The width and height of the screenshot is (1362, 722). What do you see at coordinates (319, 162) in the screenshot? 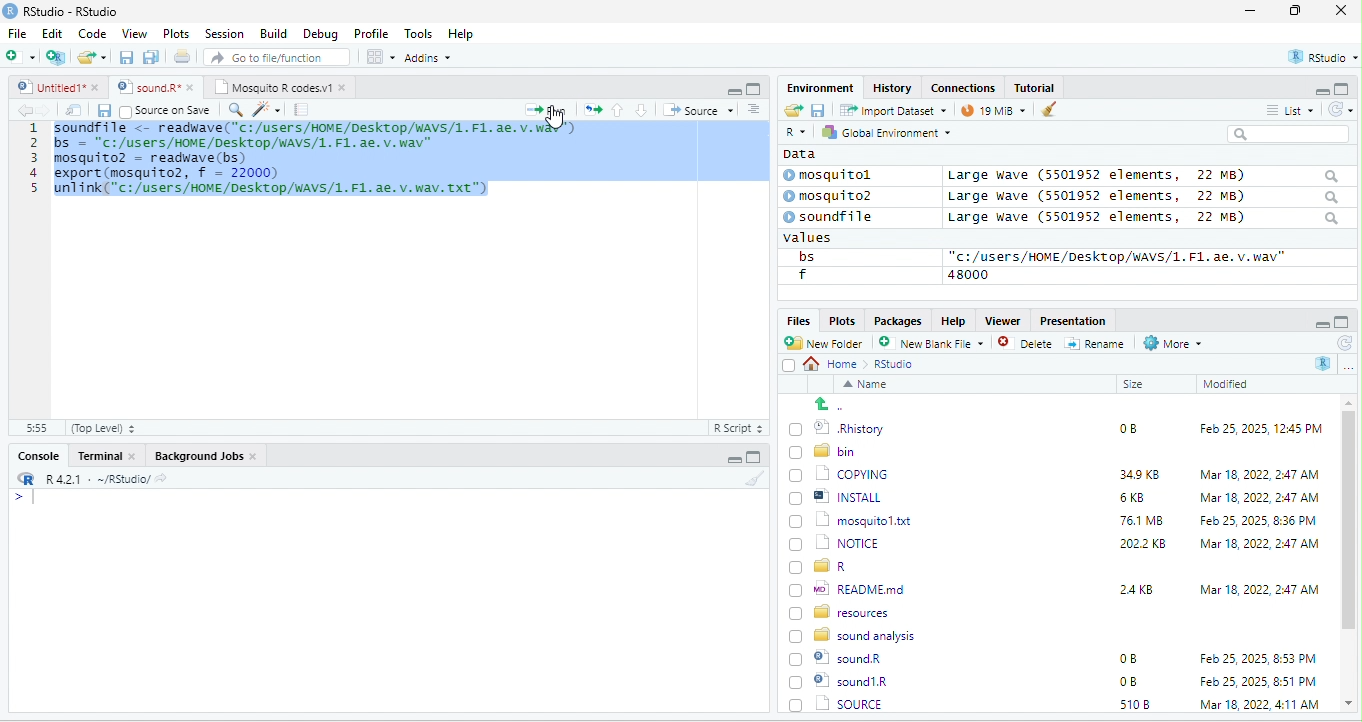
I see `code` at bounding box center [319, 162].